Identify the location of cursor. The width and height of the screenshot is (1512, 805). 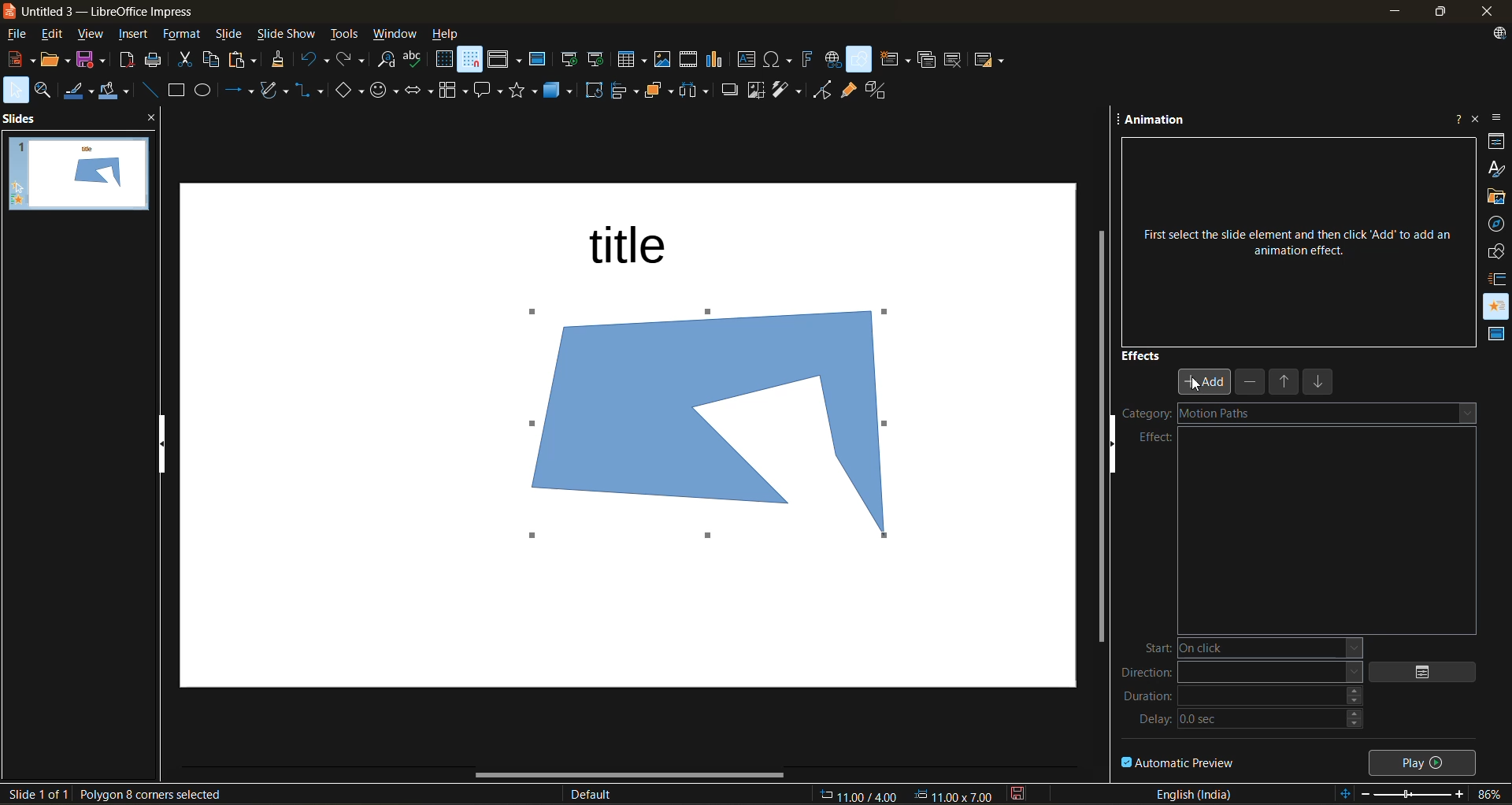
(1191, 385).